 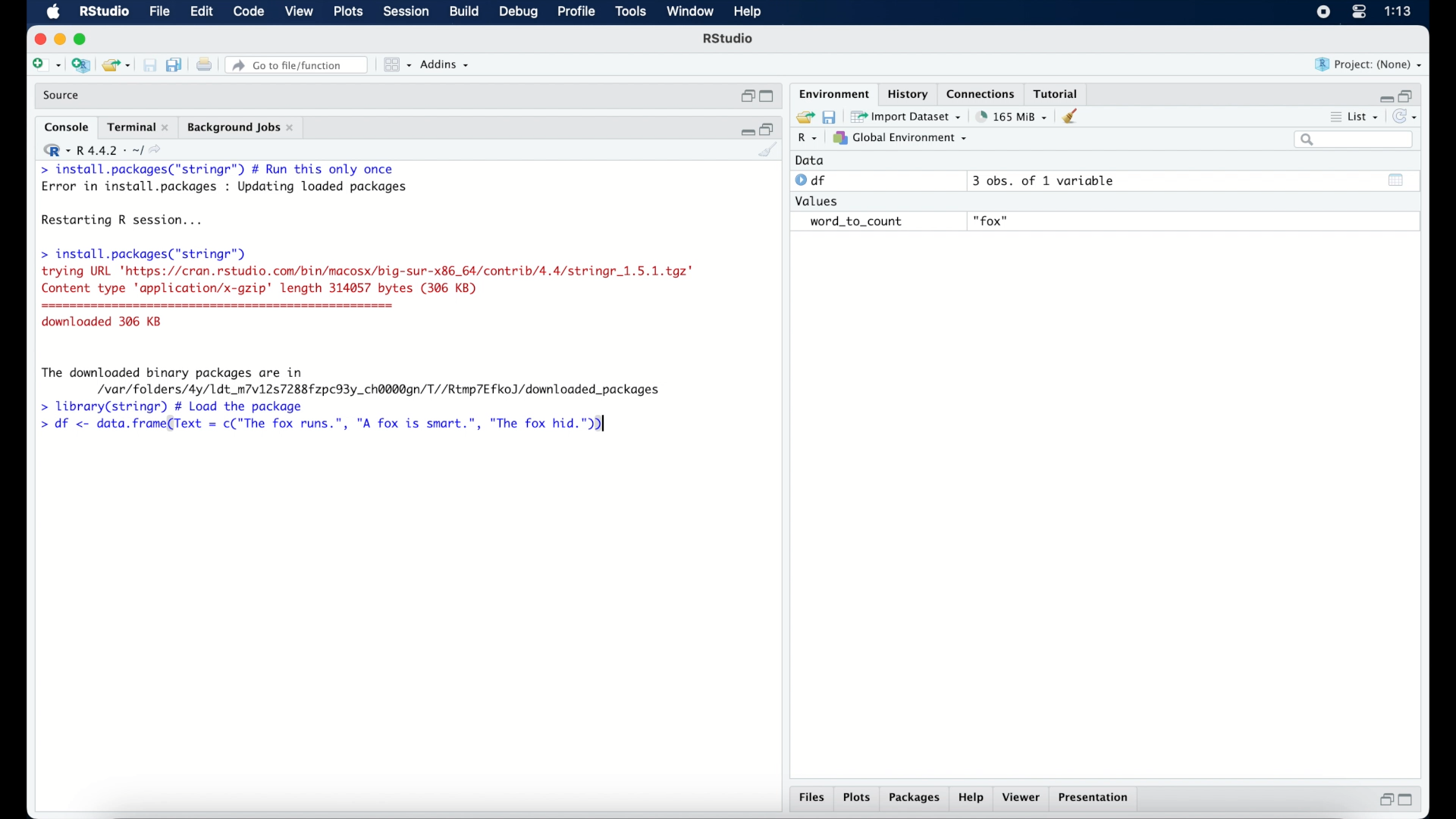 What do you see at coordinates (831, 116) in the screenshot?
I see `save` at bounding box center [831, 116].